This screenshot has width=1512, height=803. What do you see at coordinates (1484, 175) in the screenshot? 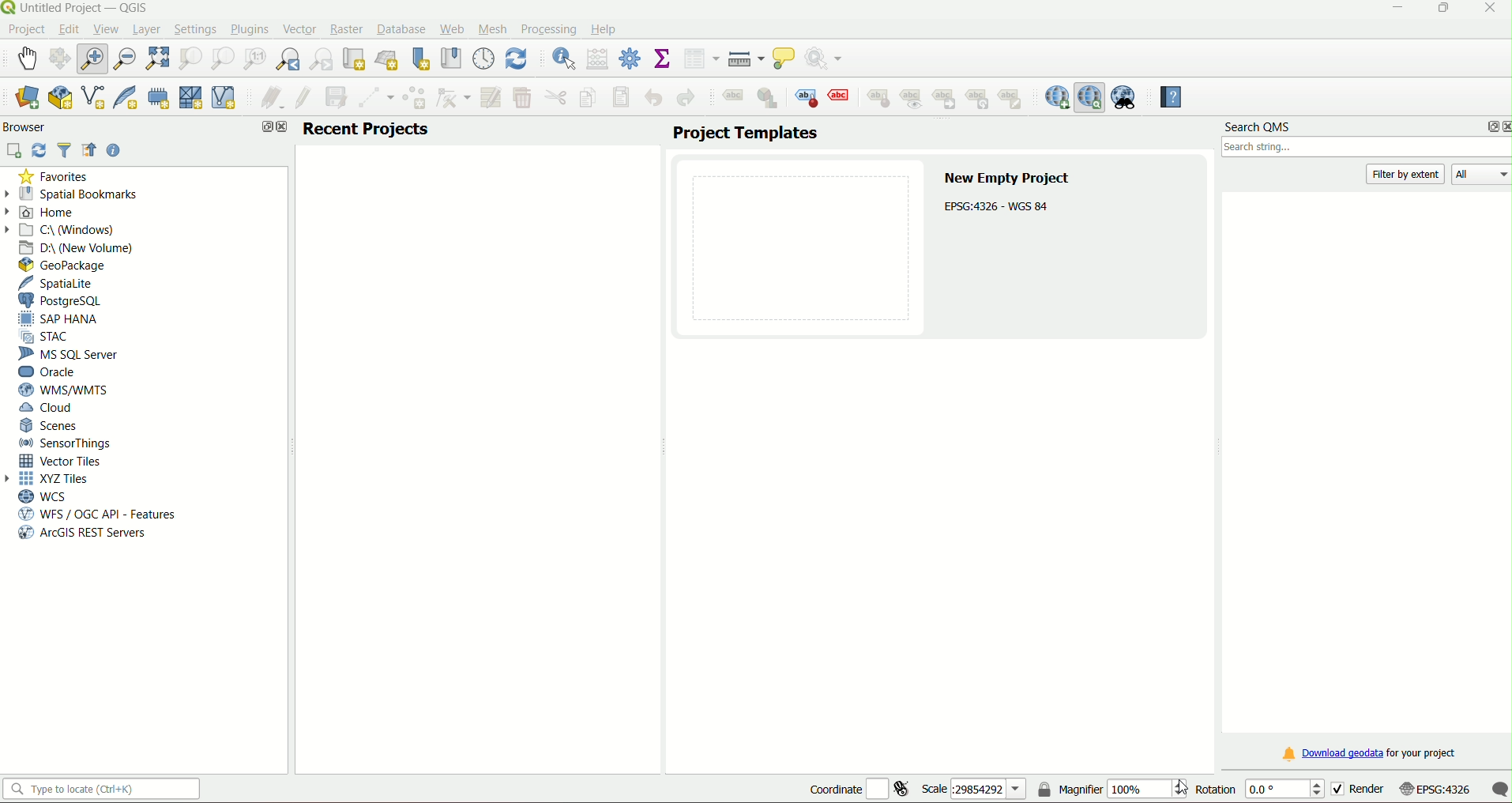
I see `All` at bounding box center [1484, 175].